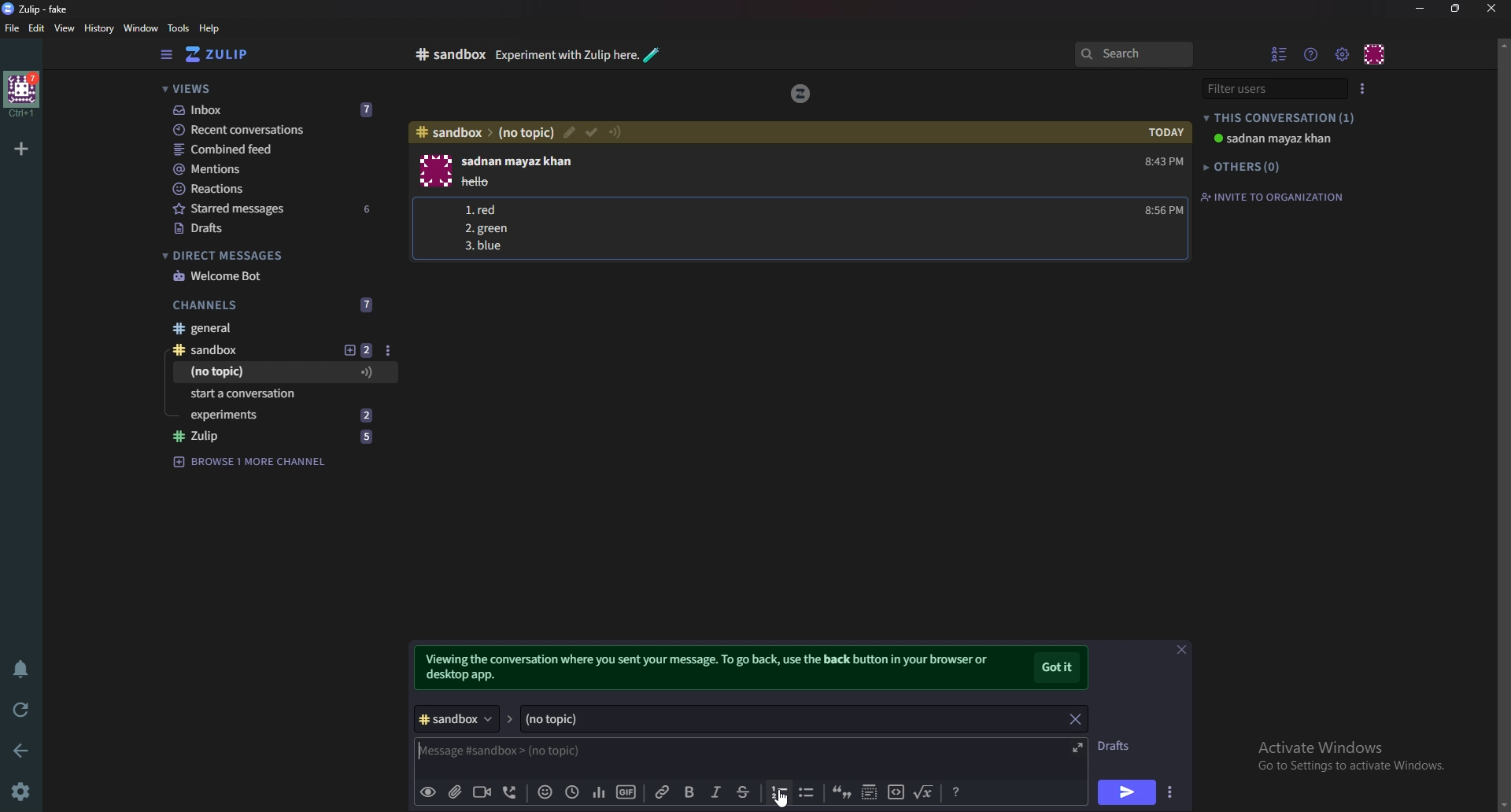 The height and width of the screenshot is (812, 1511). What do you see at coordinates (1077, 746) in the screenshot?
I see `Expand` at bounding box center [1077, 746].